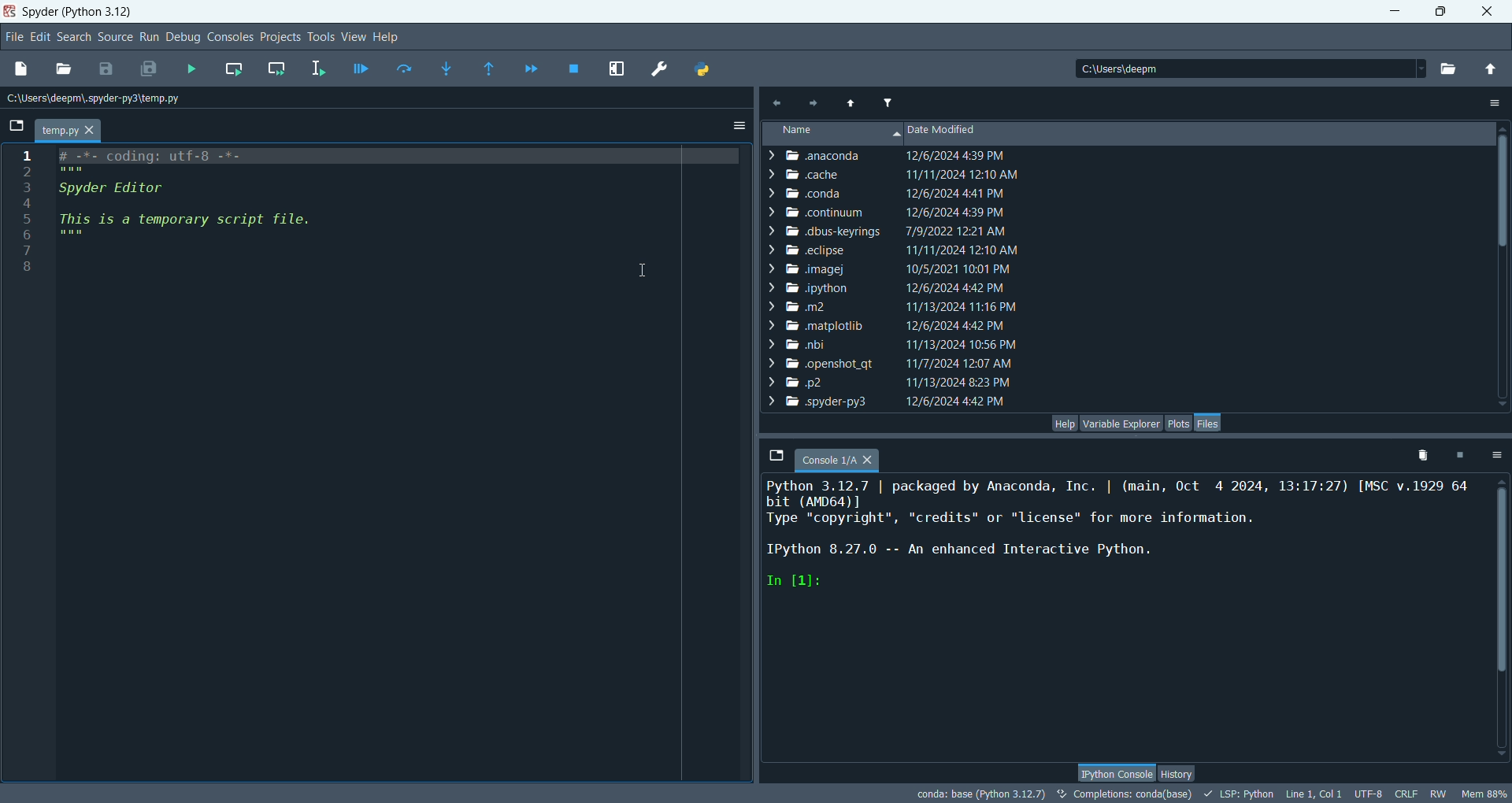 This screenshot has height=803, width=1512. Describe the element at coordinates (98, 99) in the screenshot. I see `storage location` at that location.